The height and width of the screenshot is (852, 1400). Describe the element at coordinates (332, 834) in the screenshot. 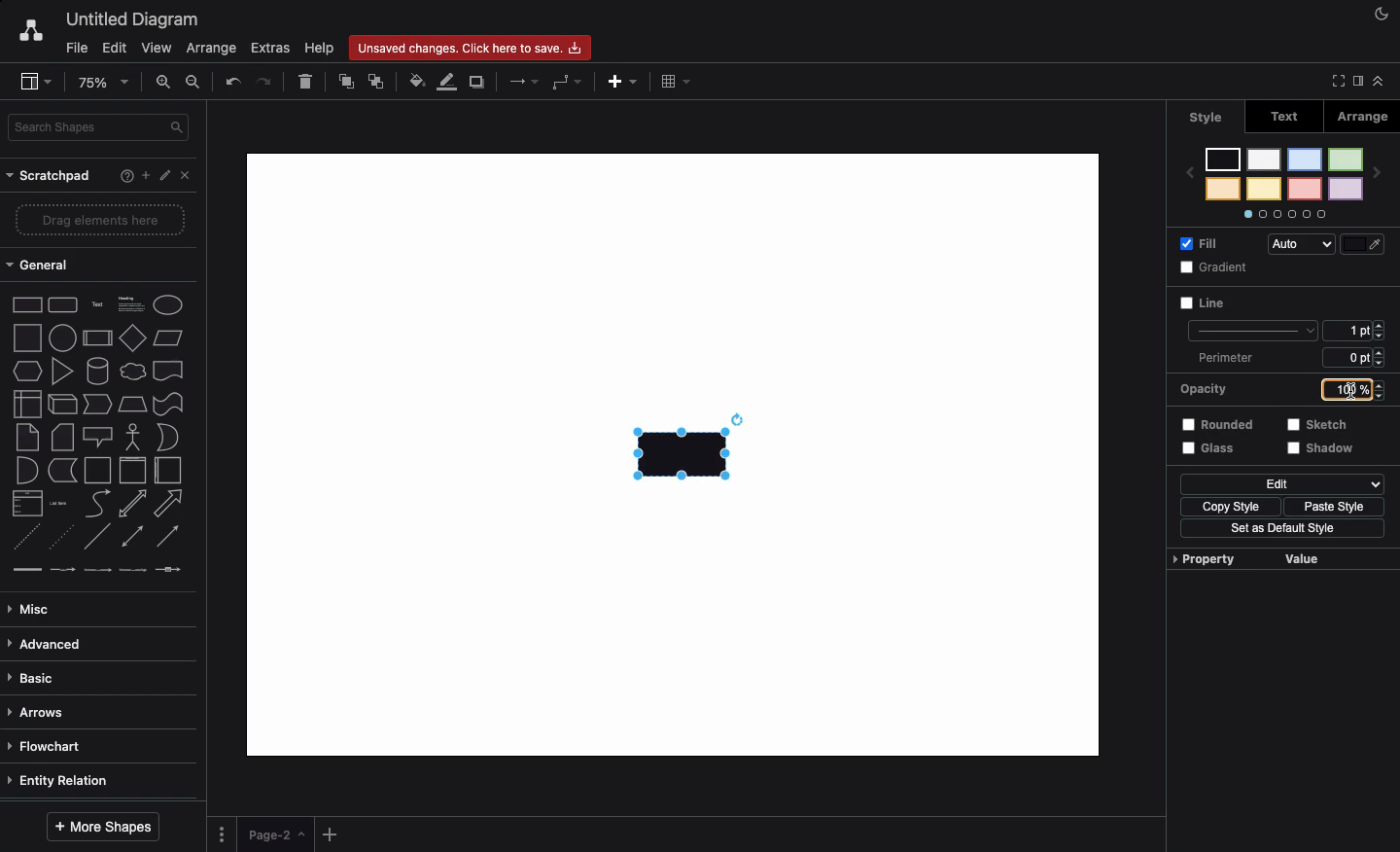

I see `Add` at that location.